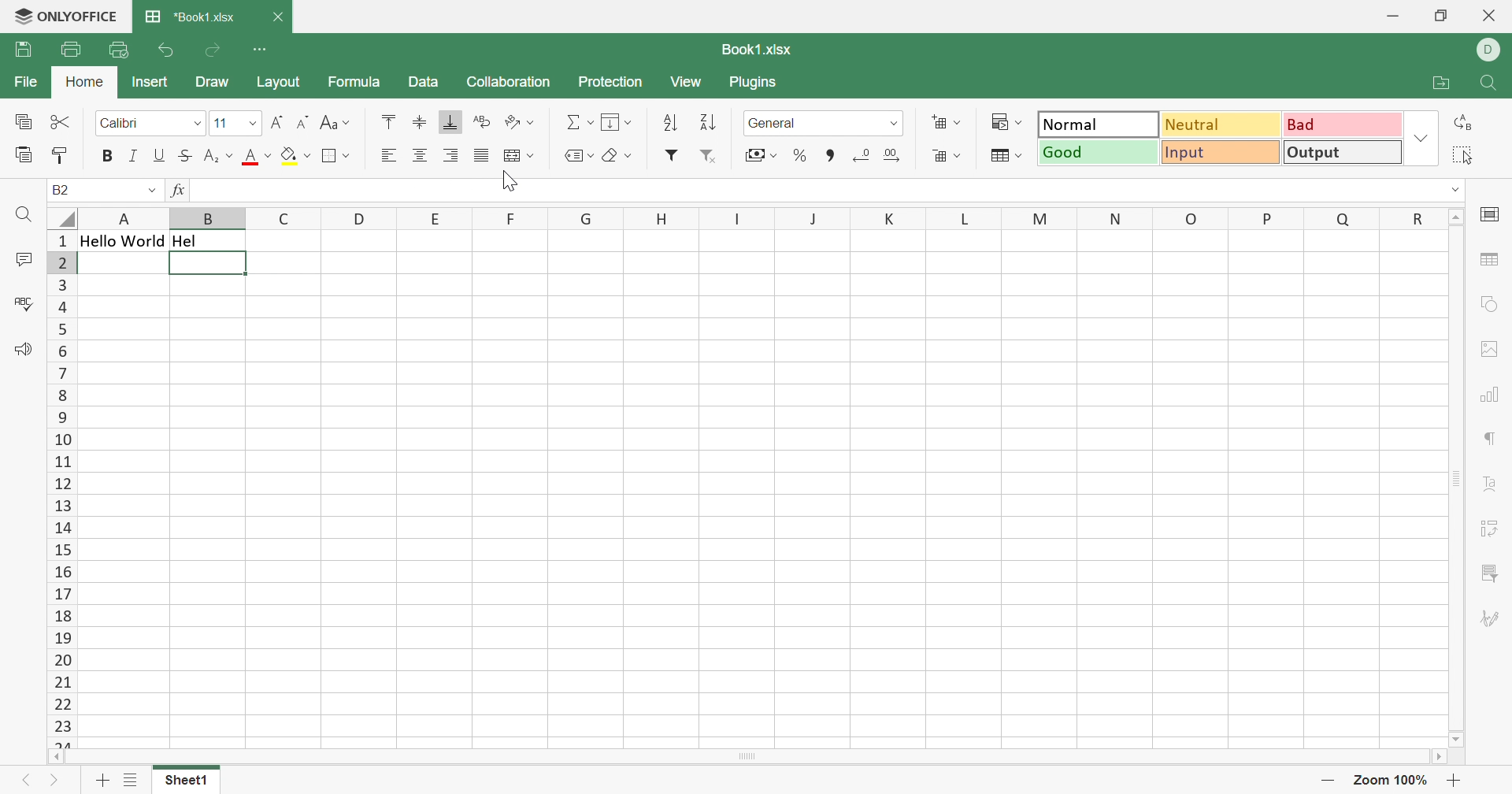  Describe the element at coordinates (744, 757) in the screenshot. I see `Scroll bar` at that location.